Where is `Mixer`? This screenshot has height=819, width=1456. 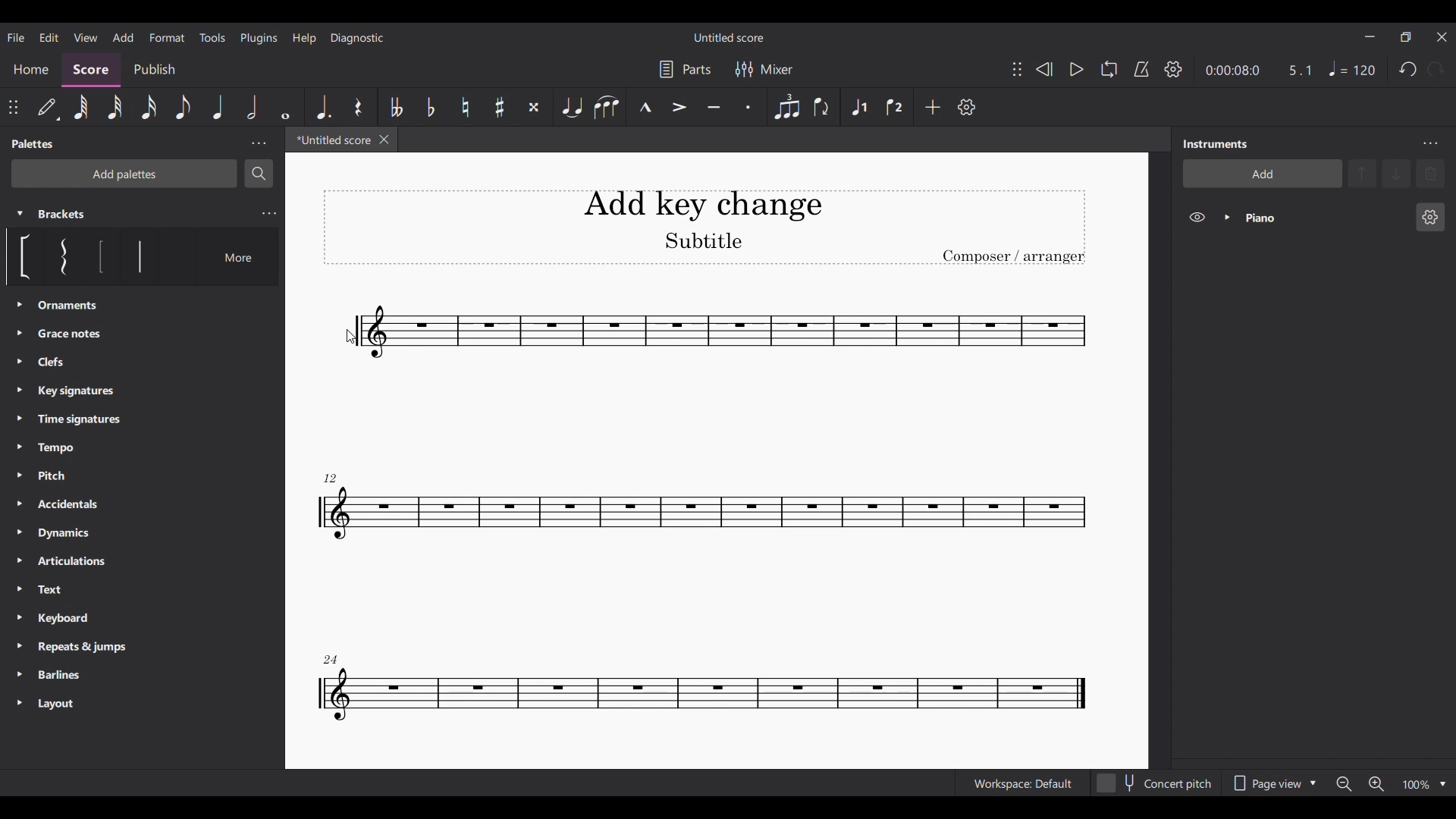
Mixer is located at coordinates (764, 70).